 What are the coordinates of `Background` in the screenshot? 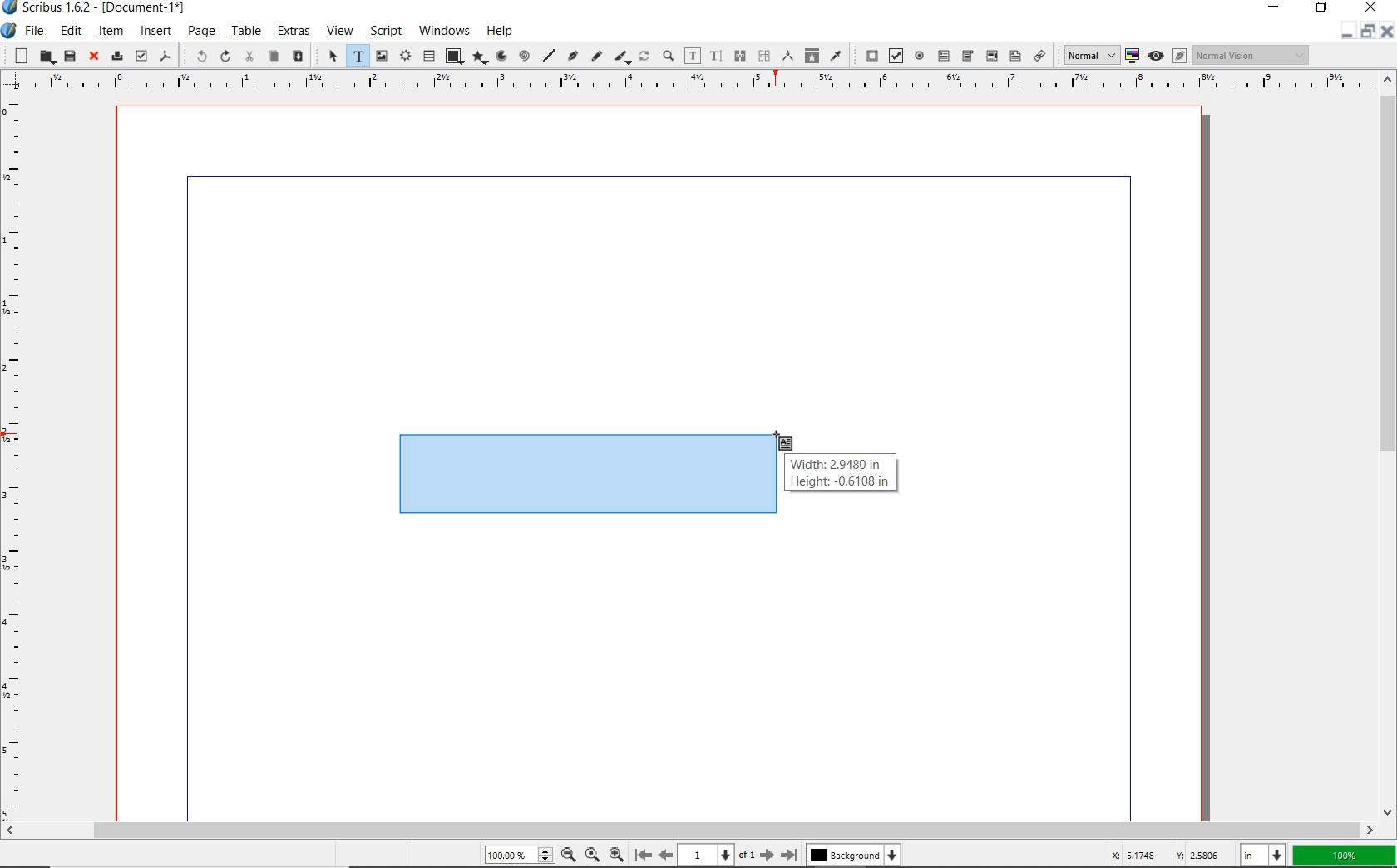 It's located at (855, 856).